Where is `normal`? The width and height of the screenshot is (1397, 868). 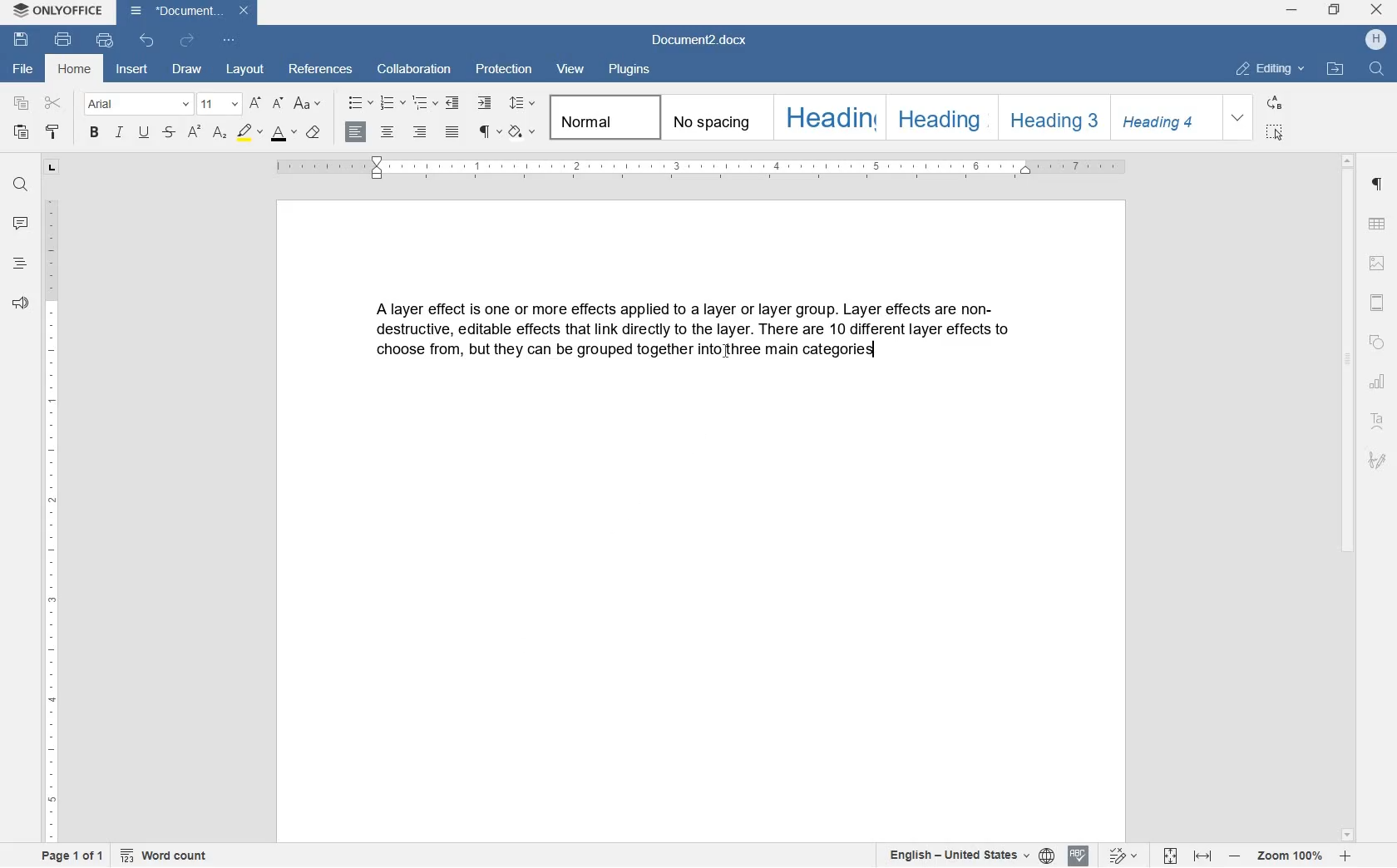
normal is located at coordinates (601, 117).